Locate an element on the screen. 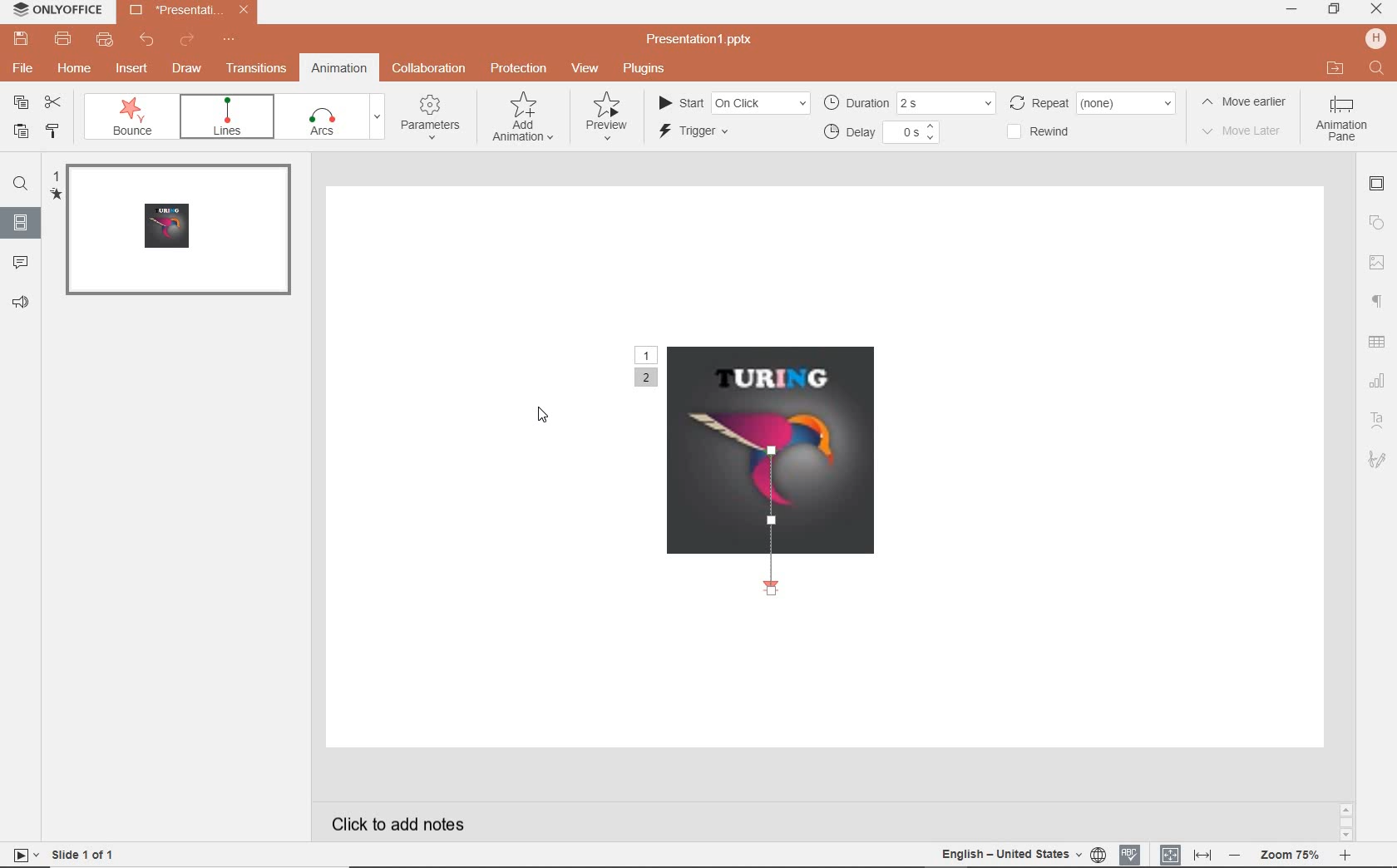 Image resolution: width=1397 pixels, height=868 pixels. trigger is located at coordinates (711, 135).